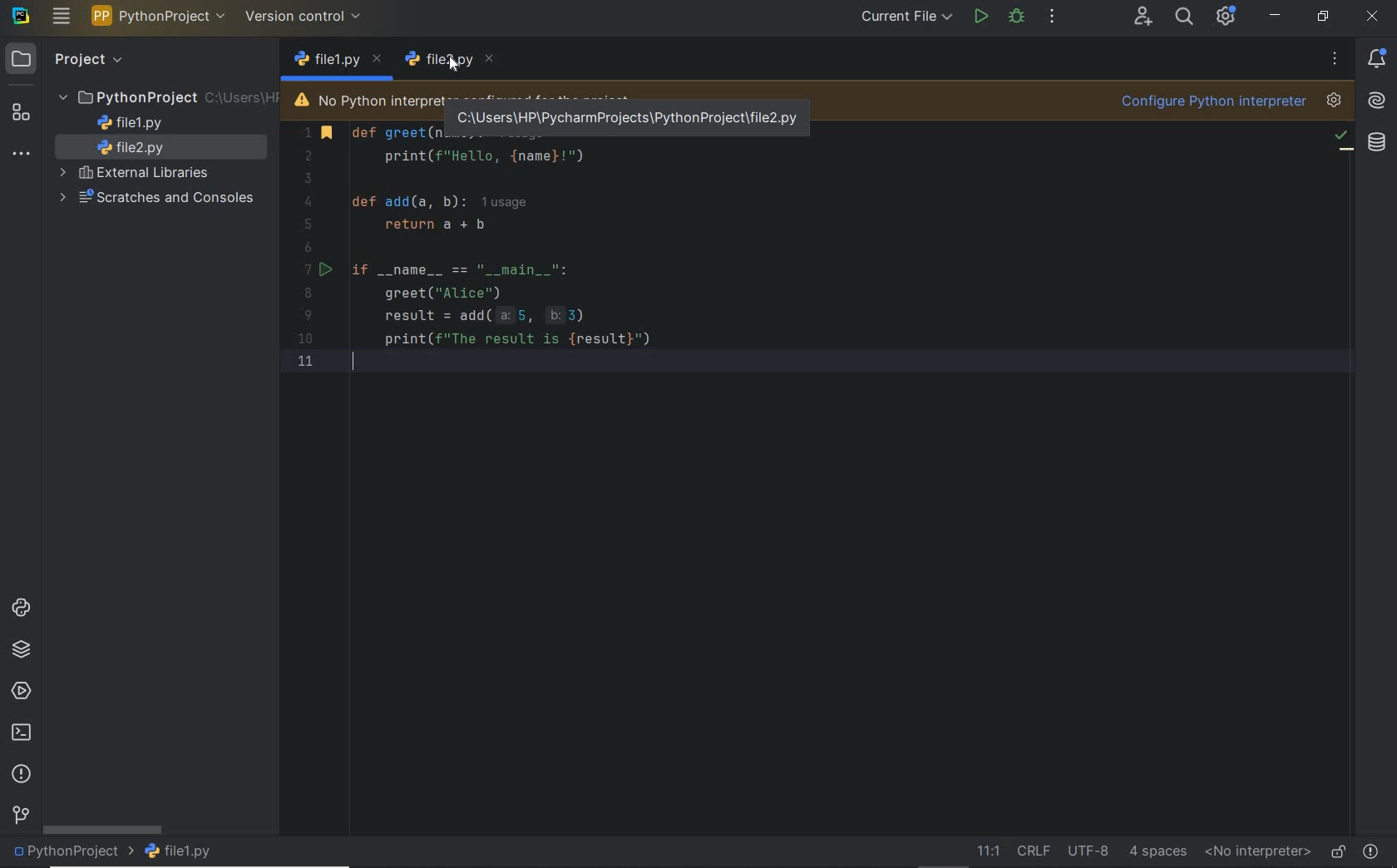 The image size is (1397, 868). What do you see at coordinates (1227, 18) in the screenshot?
I see `ide and project settings` at bounding box center [1227, 18].